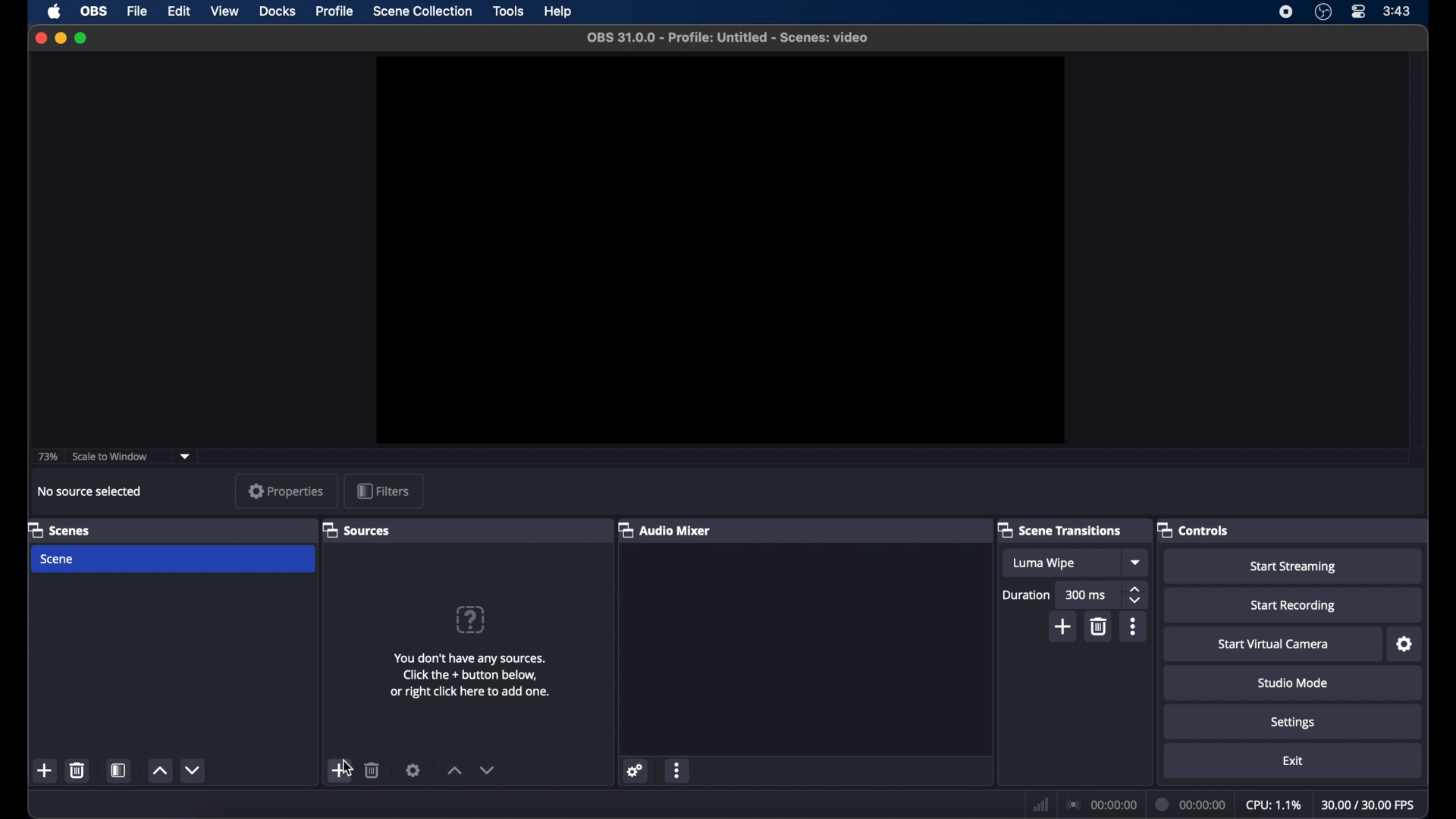 The width and height of the screenshot is (1456, 819). Describe the element at coordinates (41, 38) in the screenshot. I see `close` at that location.